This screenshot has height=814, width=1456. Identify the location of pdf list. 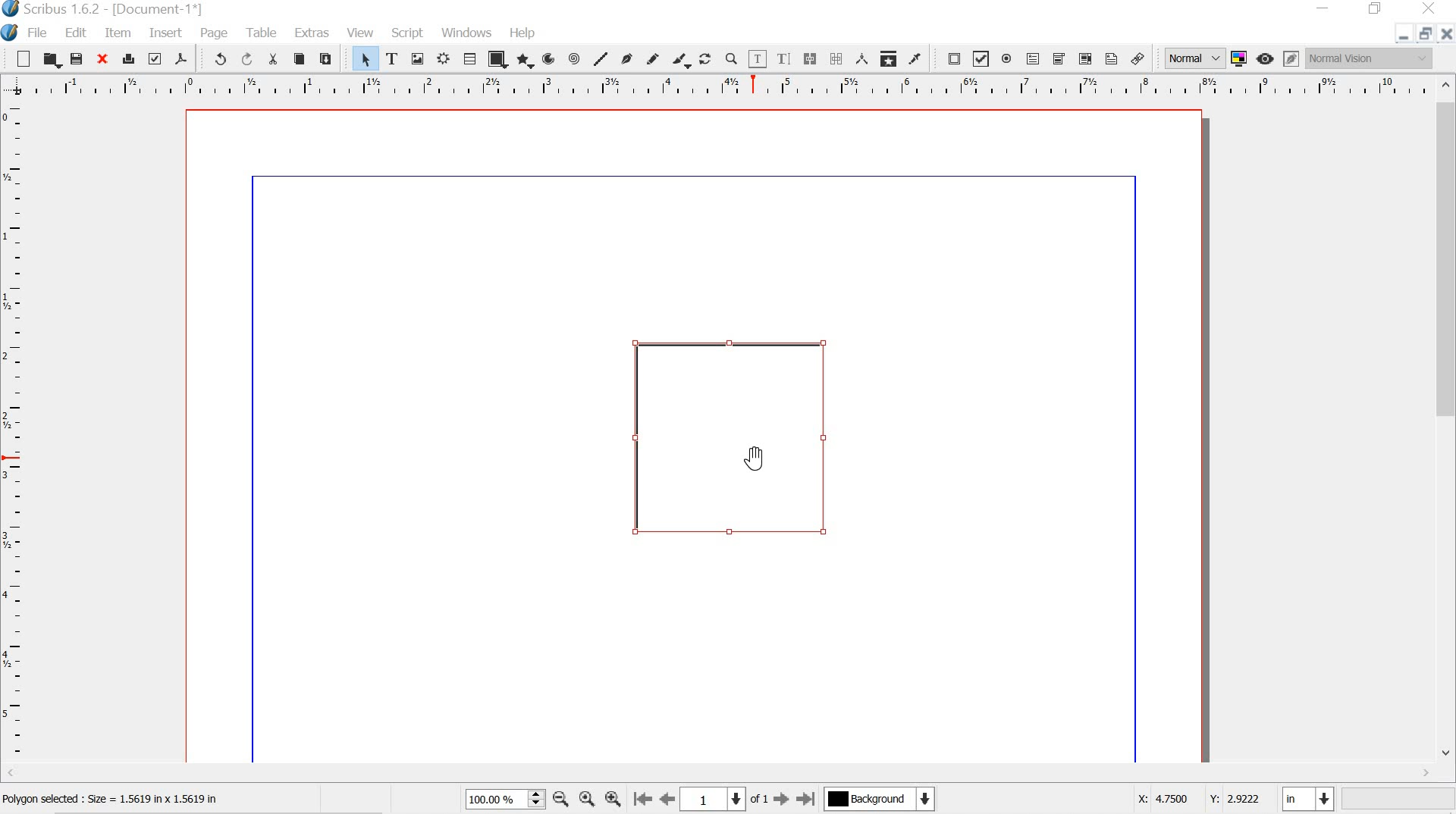
(1084, 58).